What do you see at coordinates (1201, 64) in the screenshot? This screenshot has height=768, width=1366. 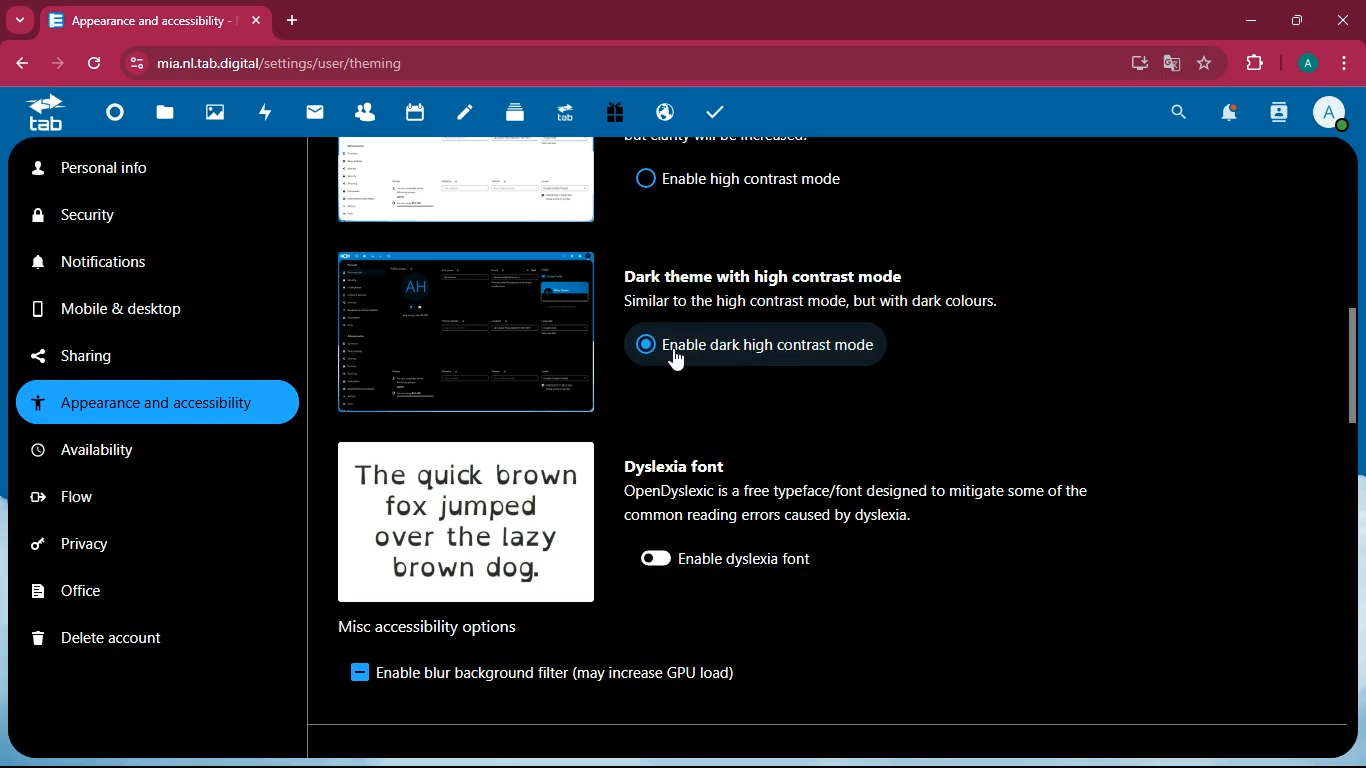 I see `favourite` at bounding box center [1201, 64].